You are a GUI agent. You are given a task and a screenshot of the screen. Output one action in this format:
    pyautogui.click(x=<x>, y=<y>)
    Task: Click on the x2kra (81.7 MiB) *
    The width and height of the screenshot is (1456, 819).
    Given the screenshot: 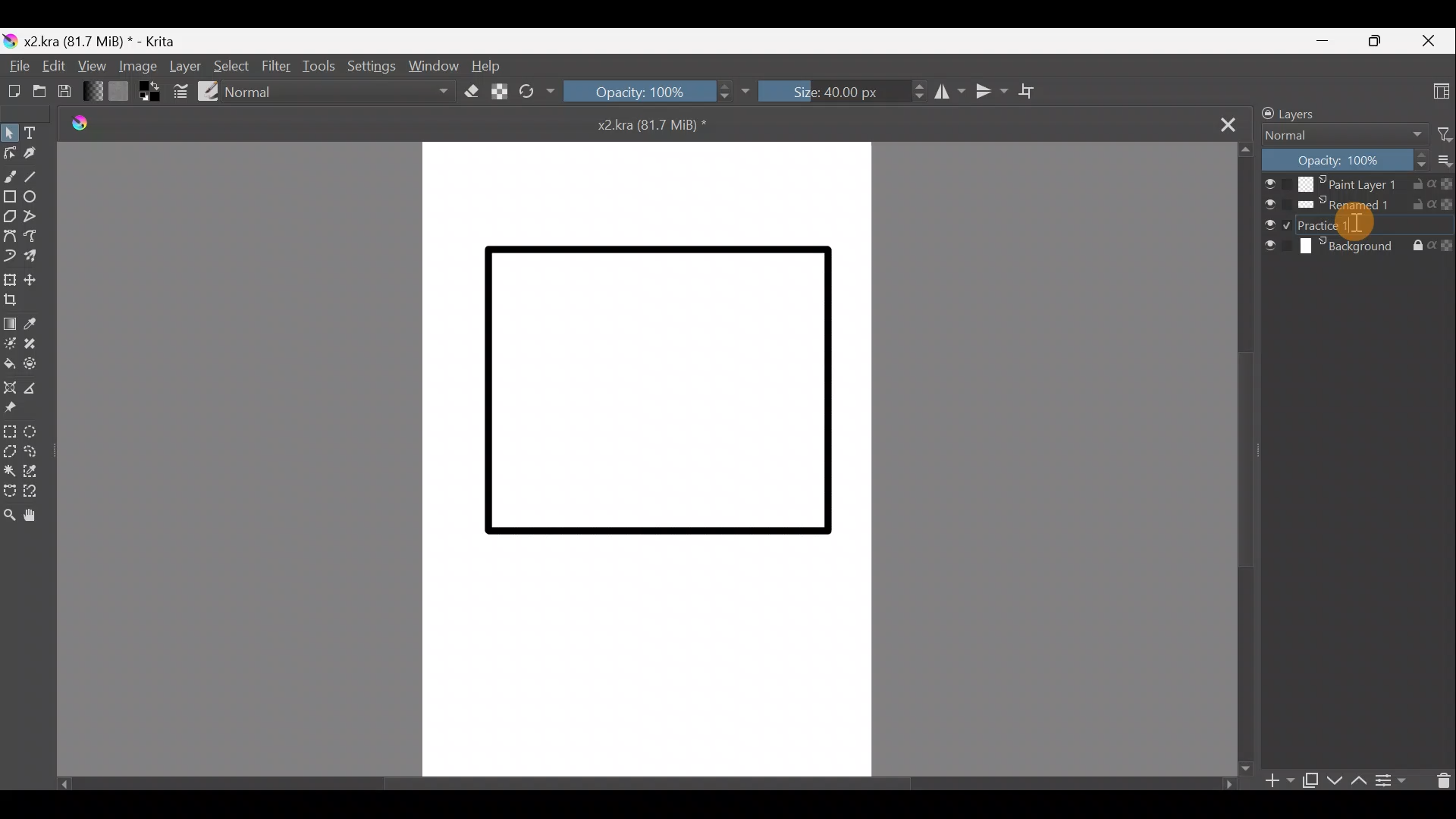 What is the action you would take?
    pyautogui.click(x=656, y=126)
    